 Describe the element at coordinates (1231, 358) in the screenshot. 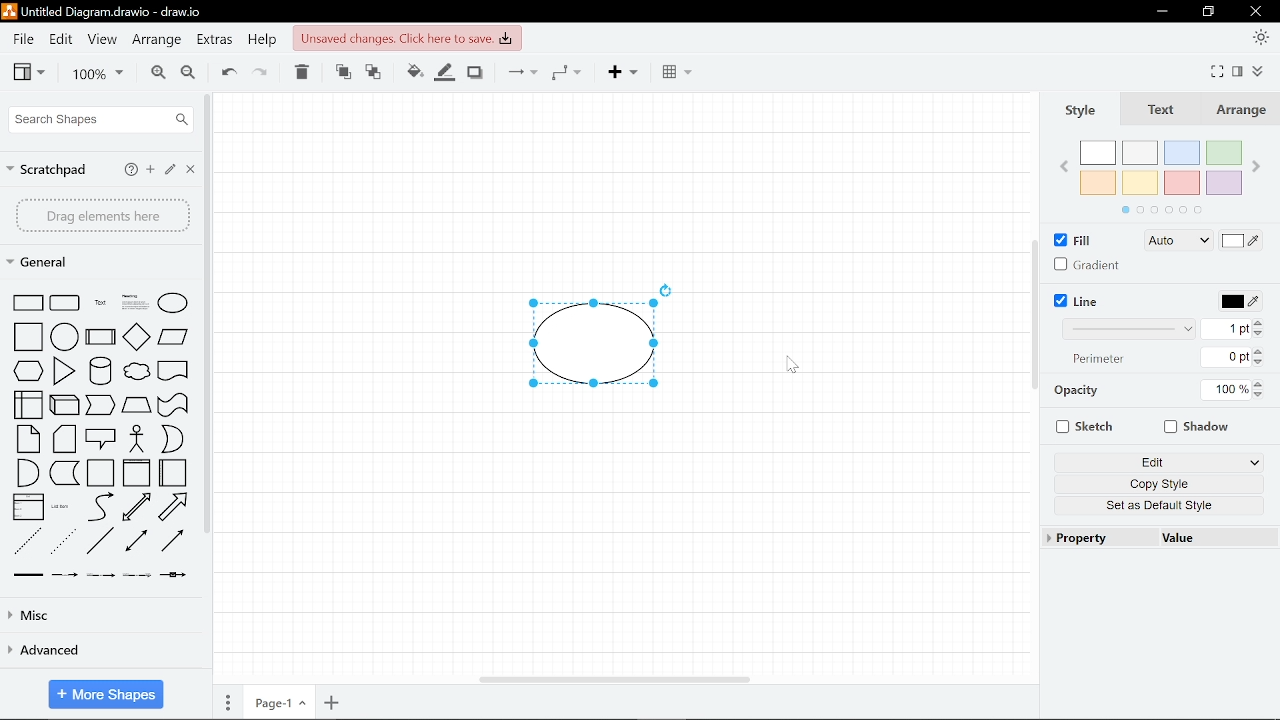

I see `Current perimeter` at that location.